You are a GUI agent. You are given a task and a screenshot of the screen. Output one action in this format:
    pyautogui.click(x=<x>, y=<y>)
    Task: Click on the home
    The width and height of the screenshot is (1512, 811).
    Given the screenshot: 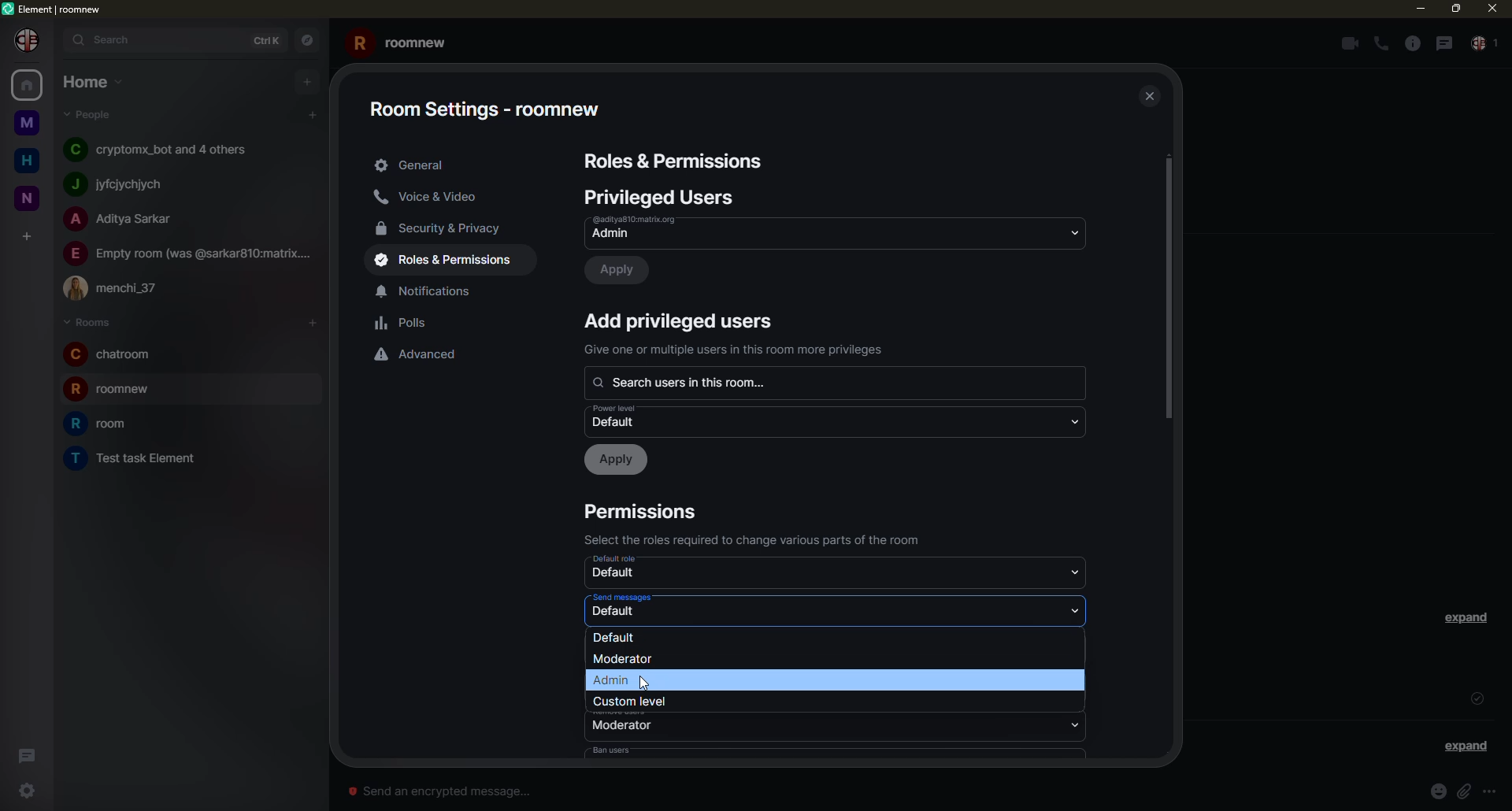 What is the action you would take?
    pyautogui.click(x=25, y=87)
    